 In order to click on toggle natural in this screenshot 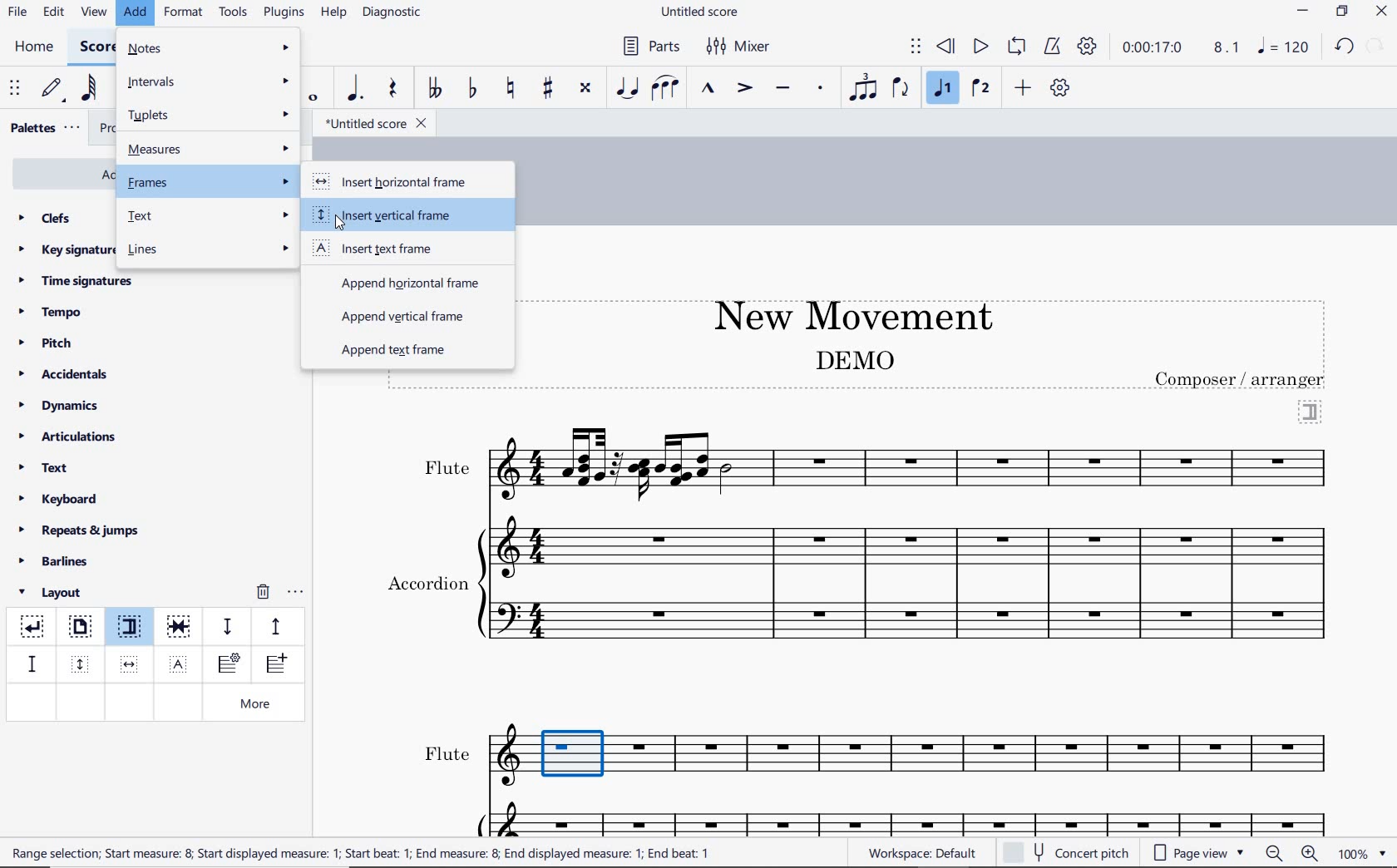, I will do `click(512, 89)`.